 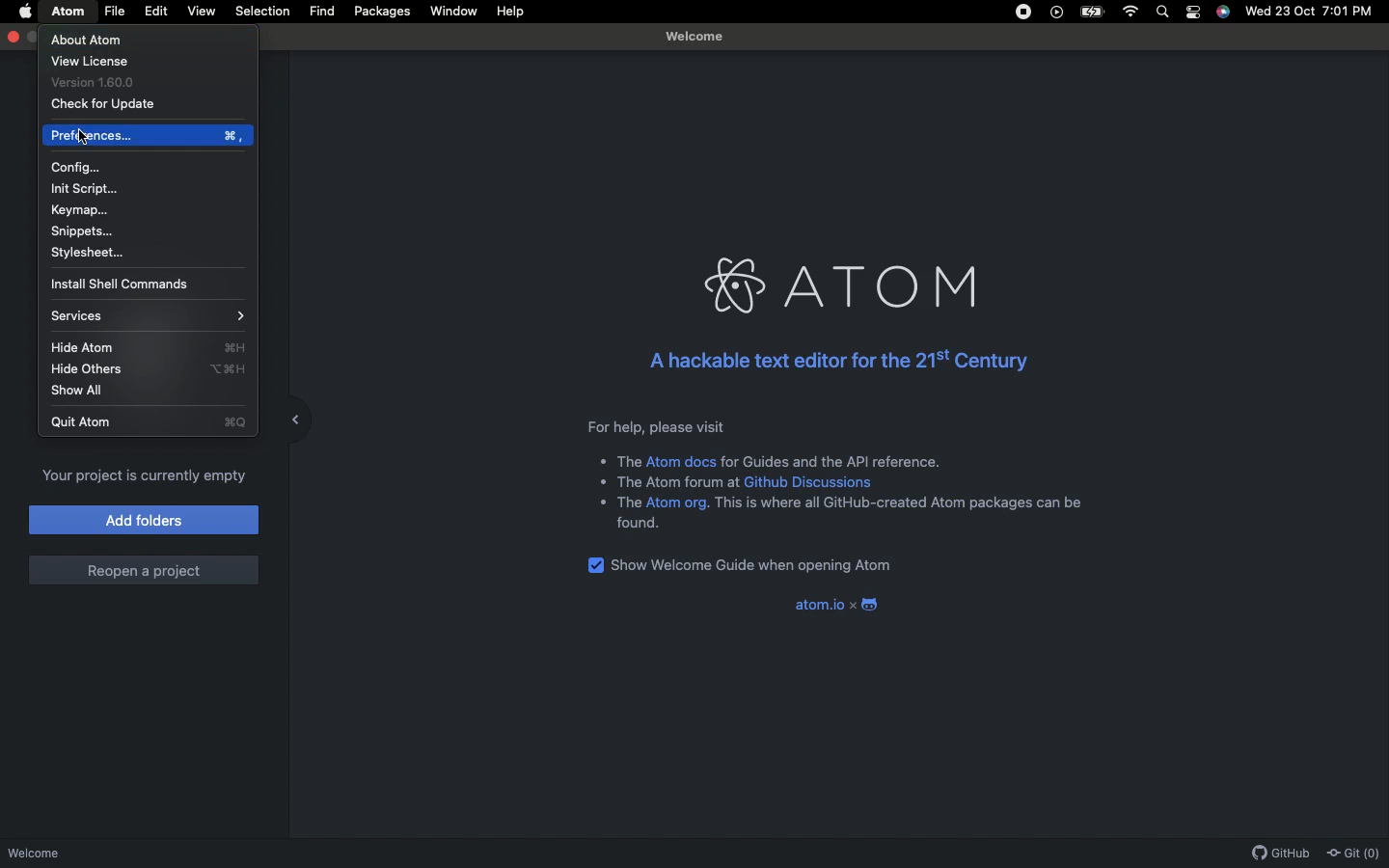 I want to click on Edit, so click(x=156, y=12).